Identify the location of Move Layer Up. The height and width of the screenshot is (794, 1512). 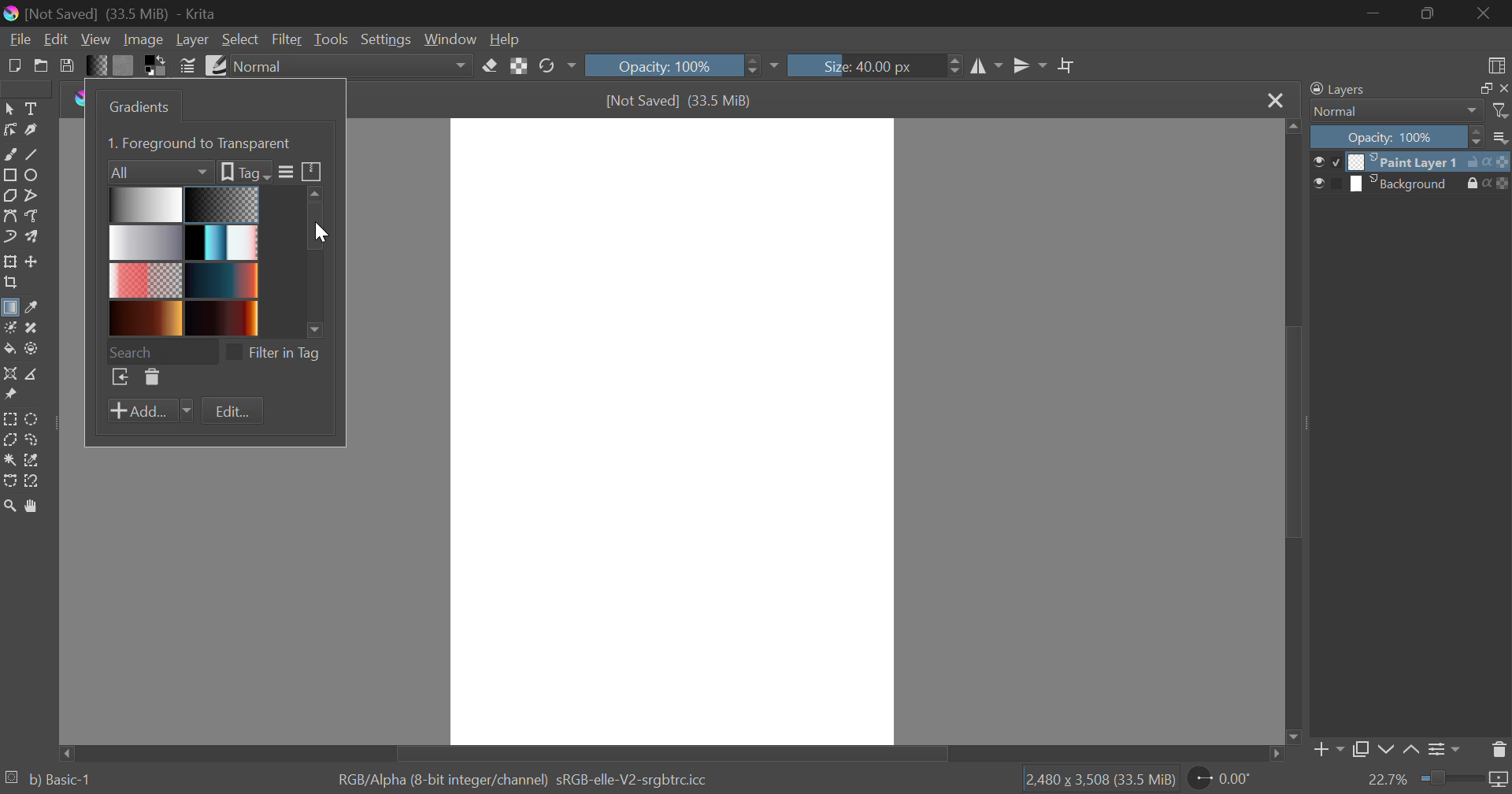
(1412, 751).